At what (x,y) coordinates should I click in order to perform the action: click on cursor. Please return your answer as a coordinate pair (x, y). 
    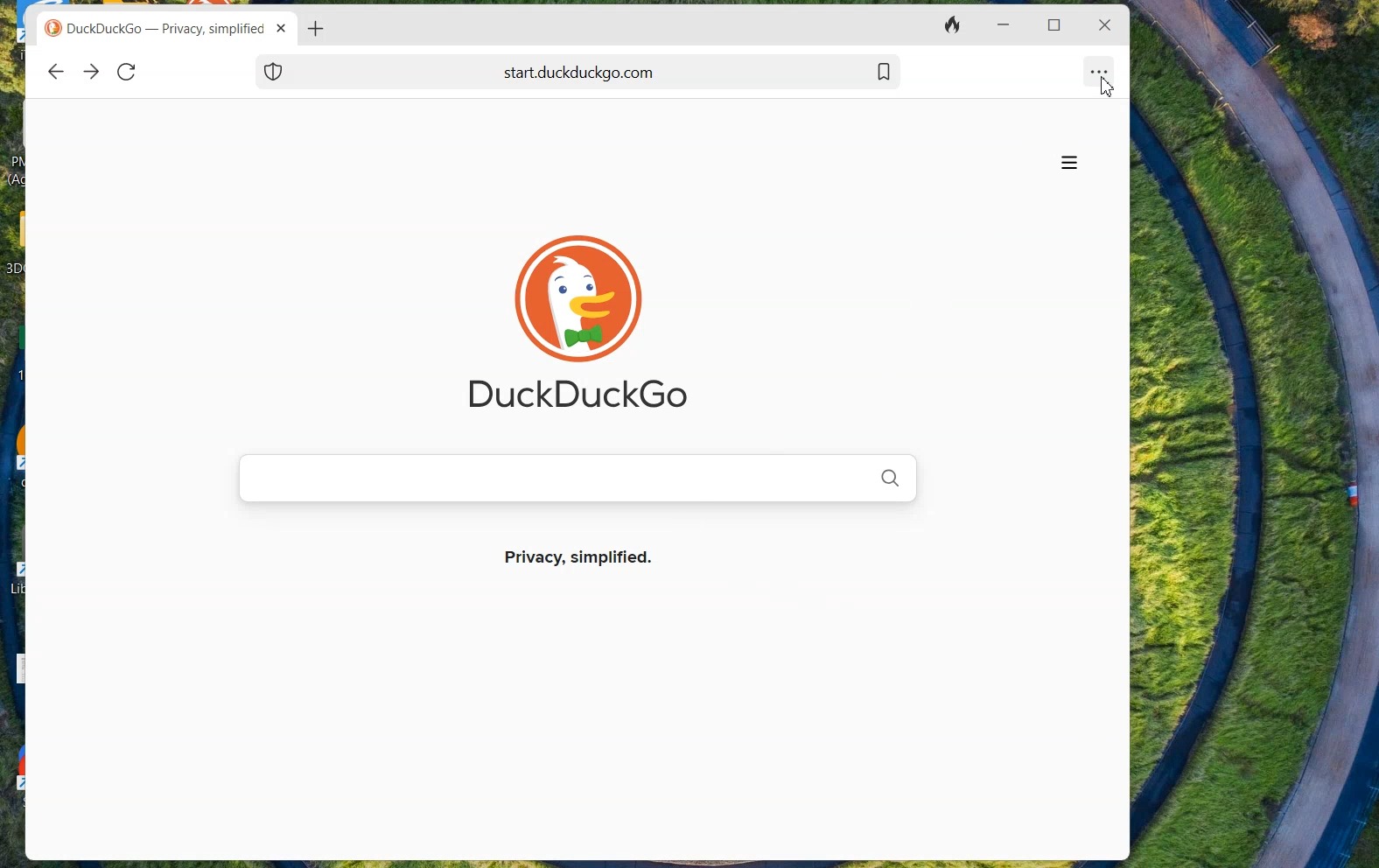
    Looking at the image, I should click on (1105, 91).